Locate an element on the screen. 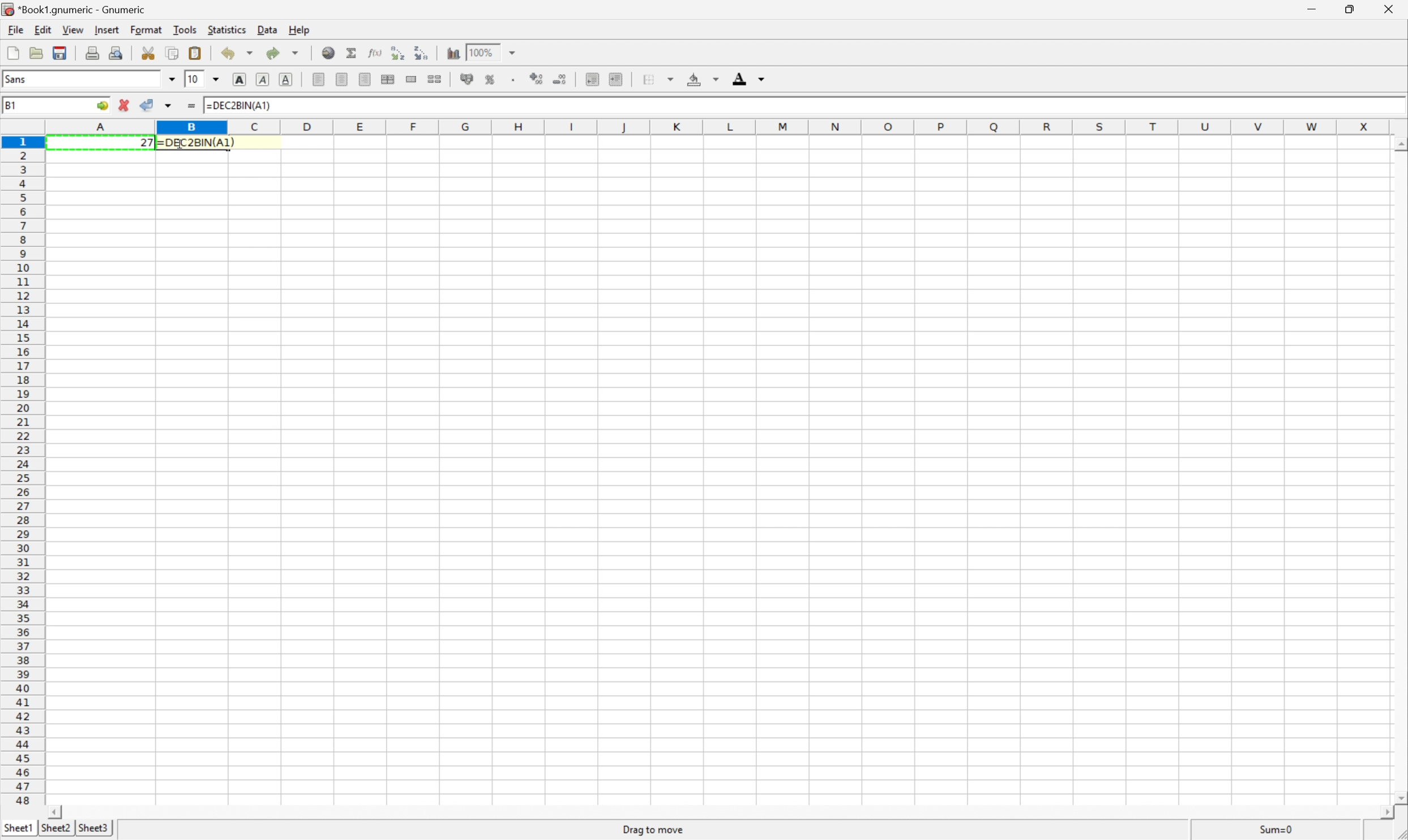 This screenshot has width=1408, height=840. Foreground is located at coordinates (748, 77).